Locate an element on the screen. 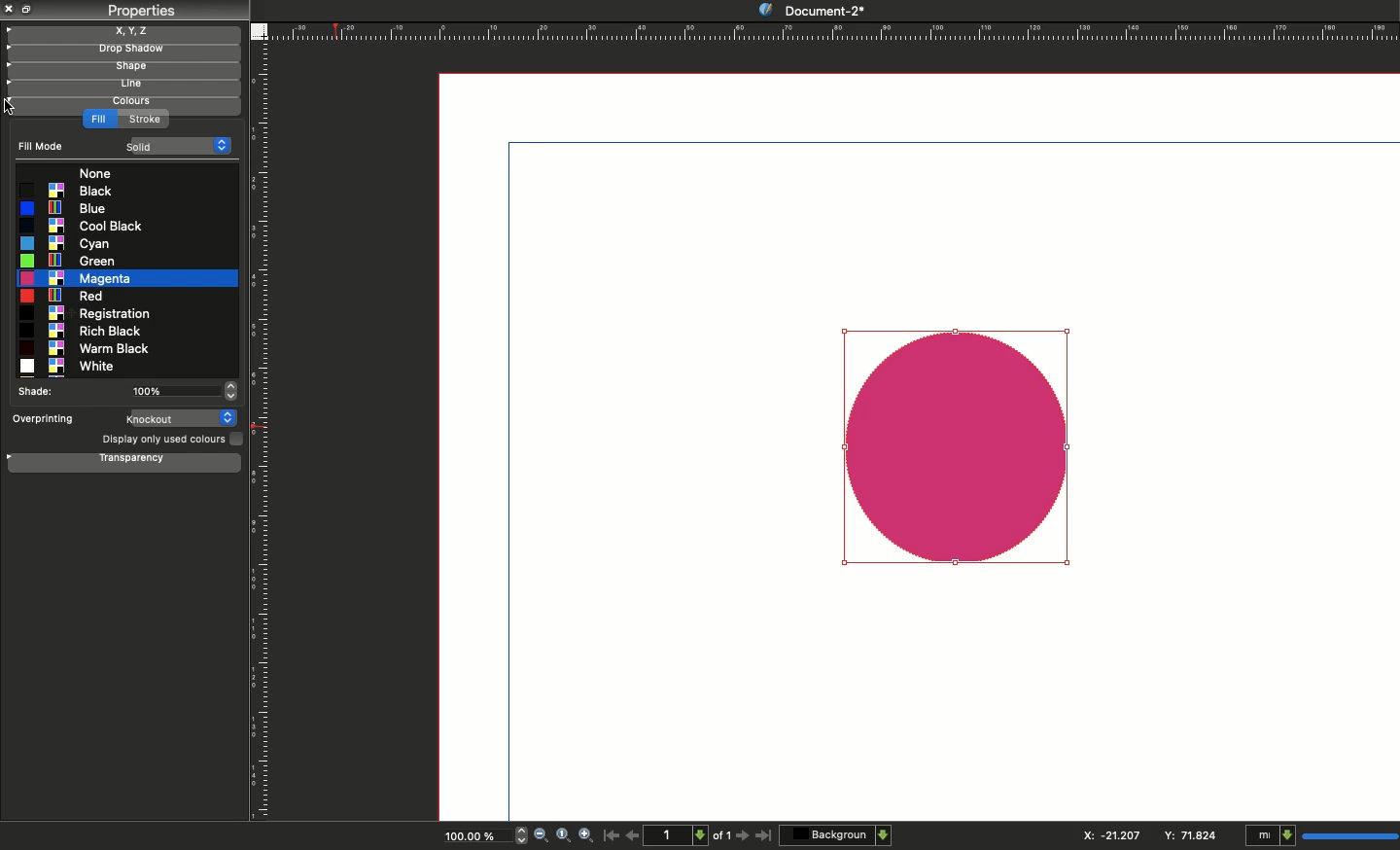 The width and height of the screenshot is (1400, 850). None is located at coordinates (91, 172).